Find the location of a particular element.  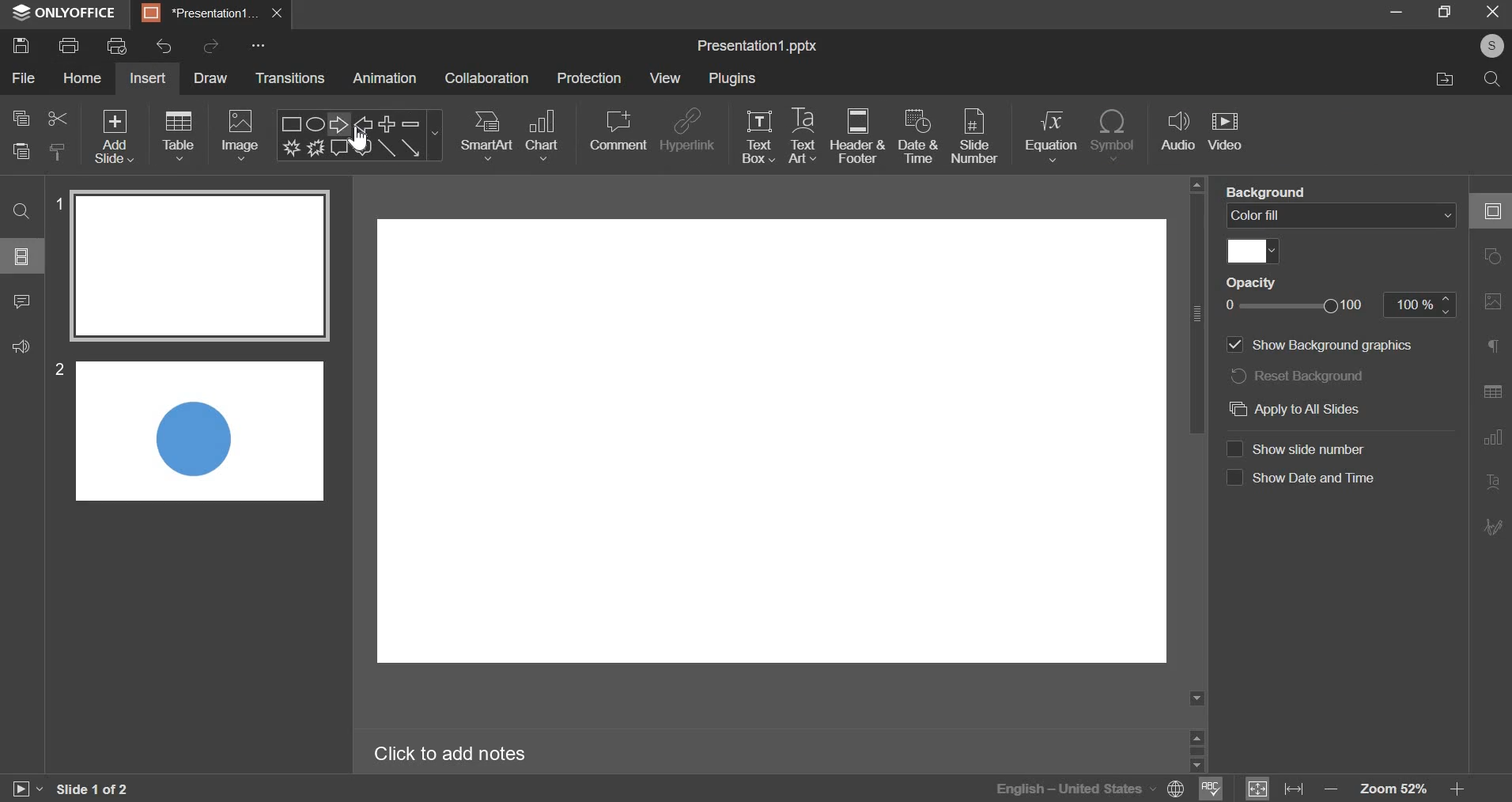

background is located at coordinates (1270, 191).